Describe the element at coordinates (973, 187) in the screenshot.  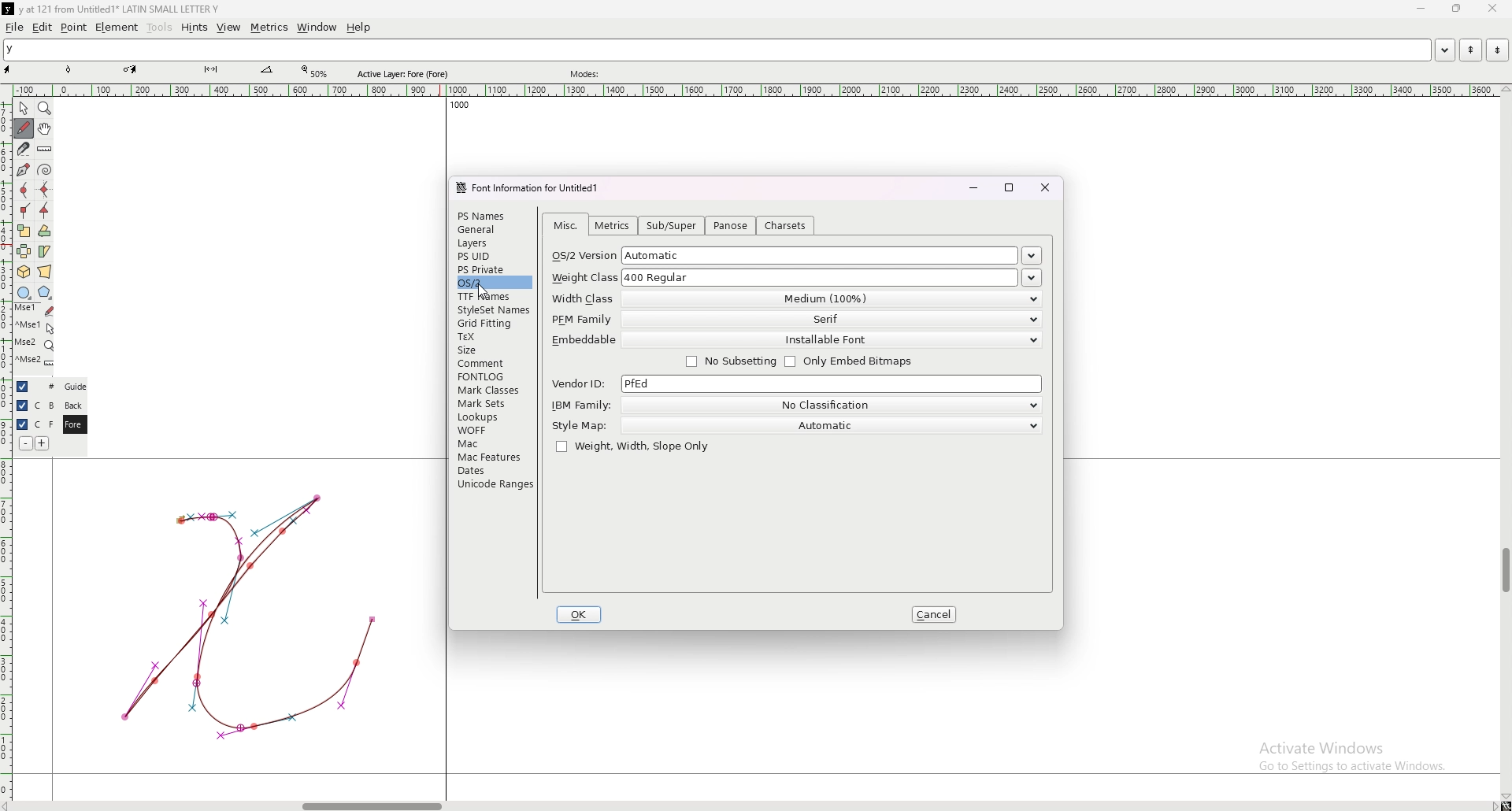
I see `minimize` at that location.